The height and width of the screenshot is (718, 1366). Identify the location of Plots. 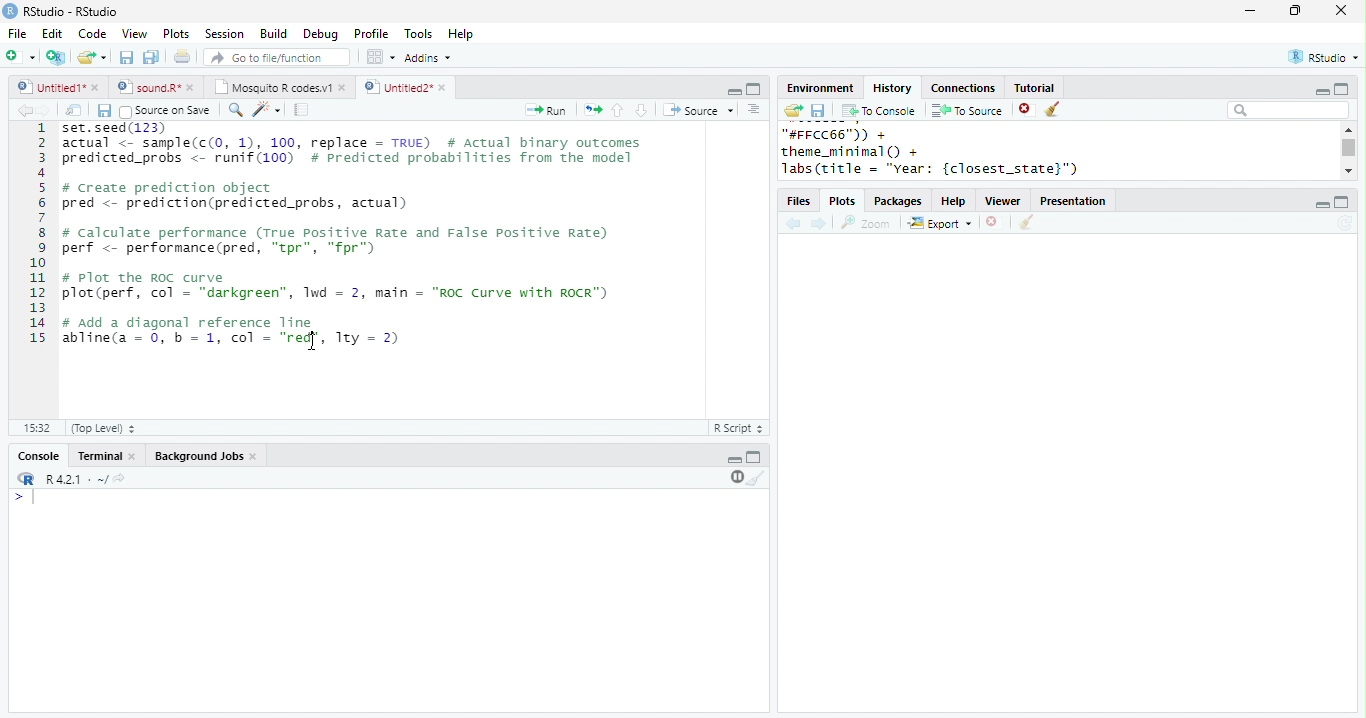
(844, 202).